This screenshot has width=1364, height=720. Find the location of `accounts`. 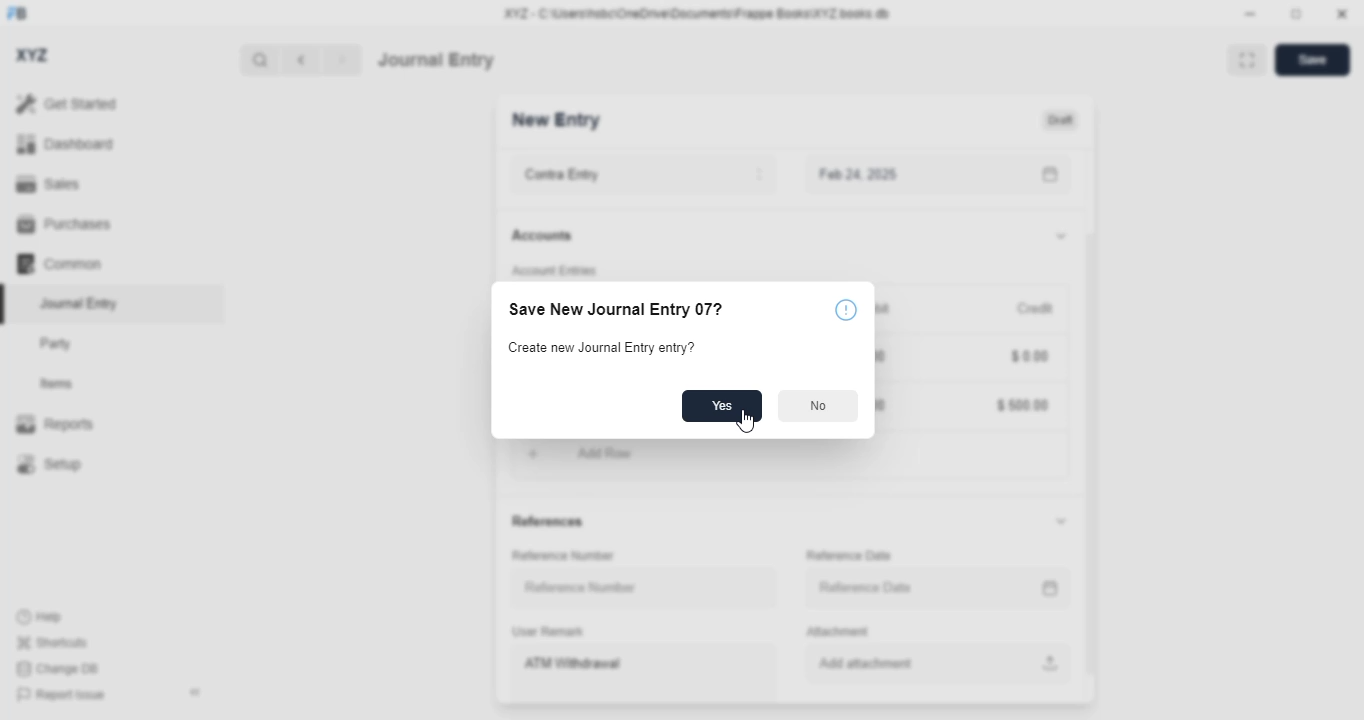

accounts is located at coordinates (542, 236).